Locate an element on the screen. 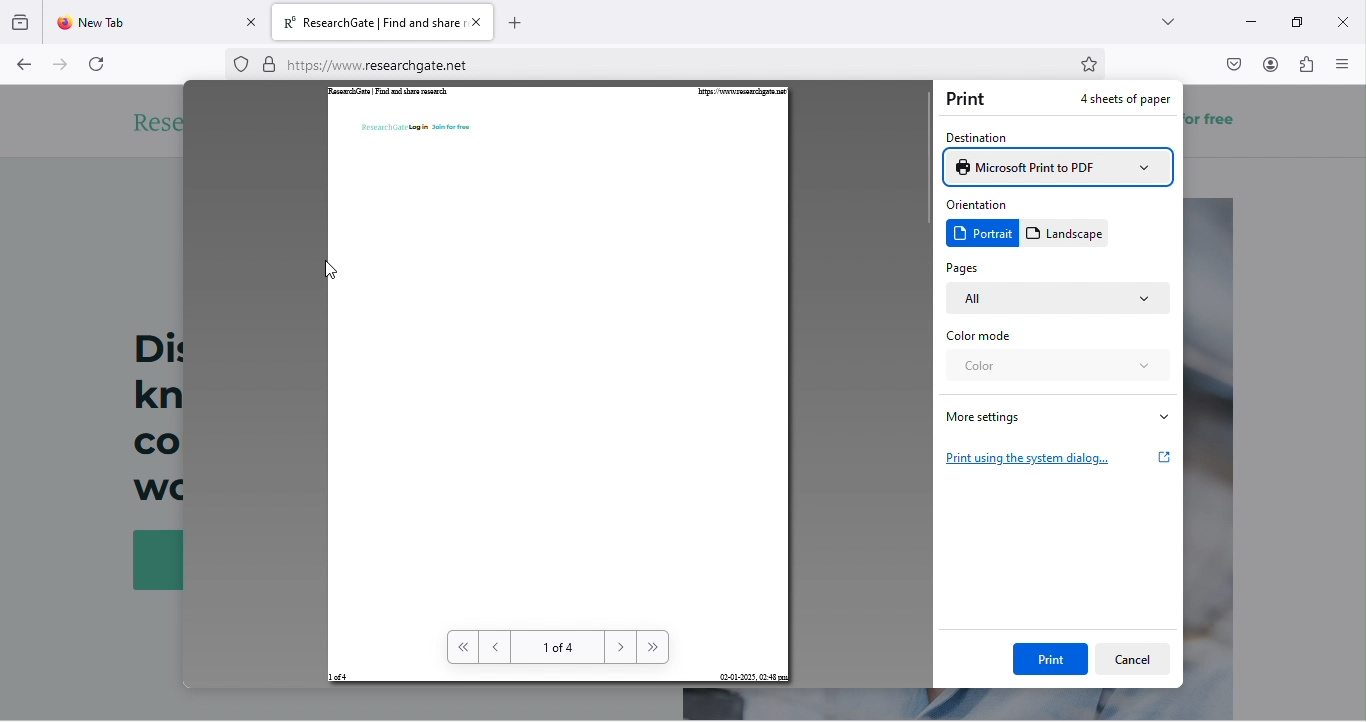 Image resolution: width=1366 pixels, height=722 pixels. 1 of 4 is located at coordinates (351, 676).